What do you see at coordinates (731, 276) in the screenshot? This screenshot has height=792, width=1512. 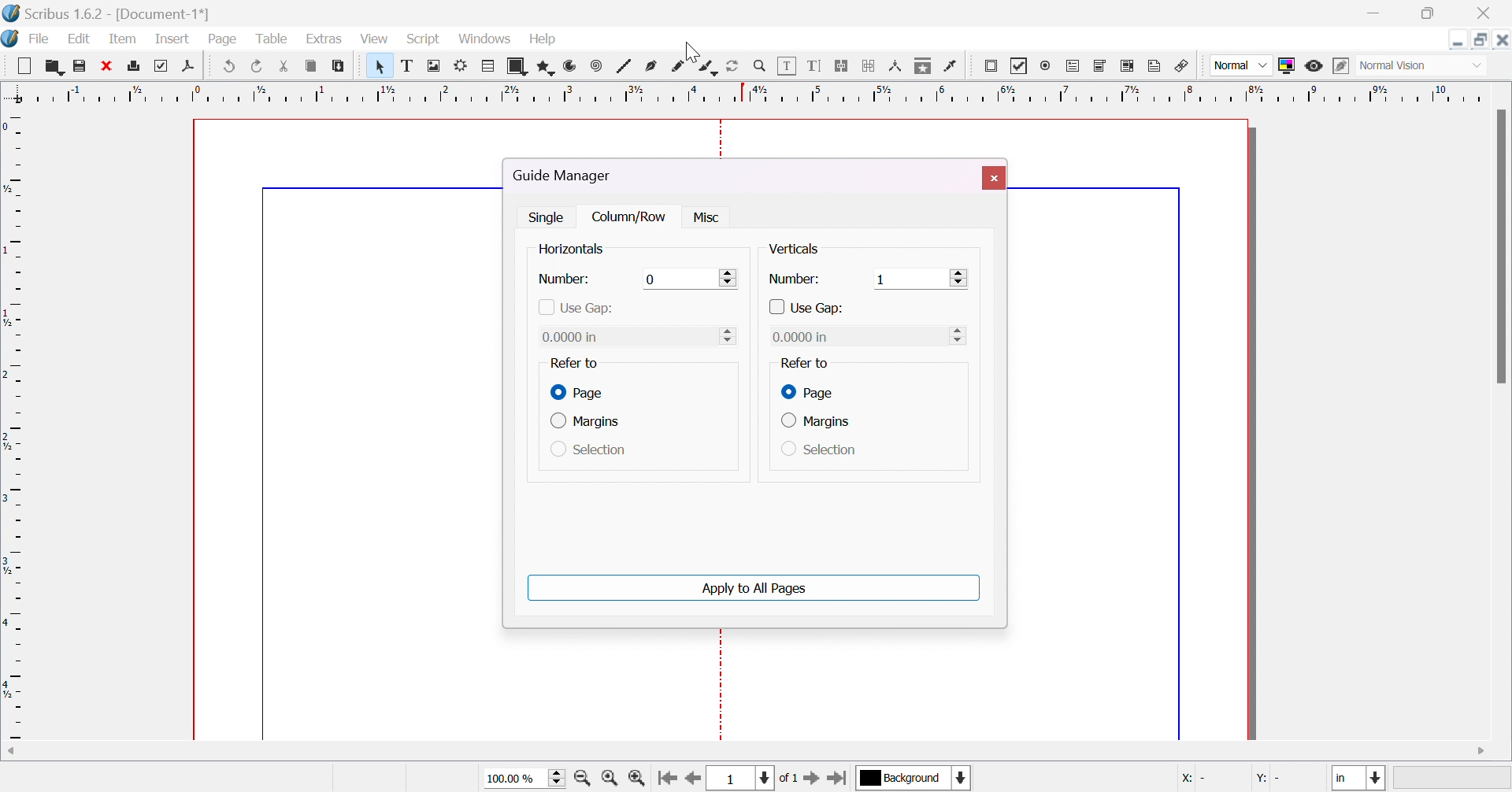 I see `slider` at bounding box center [731, 276].